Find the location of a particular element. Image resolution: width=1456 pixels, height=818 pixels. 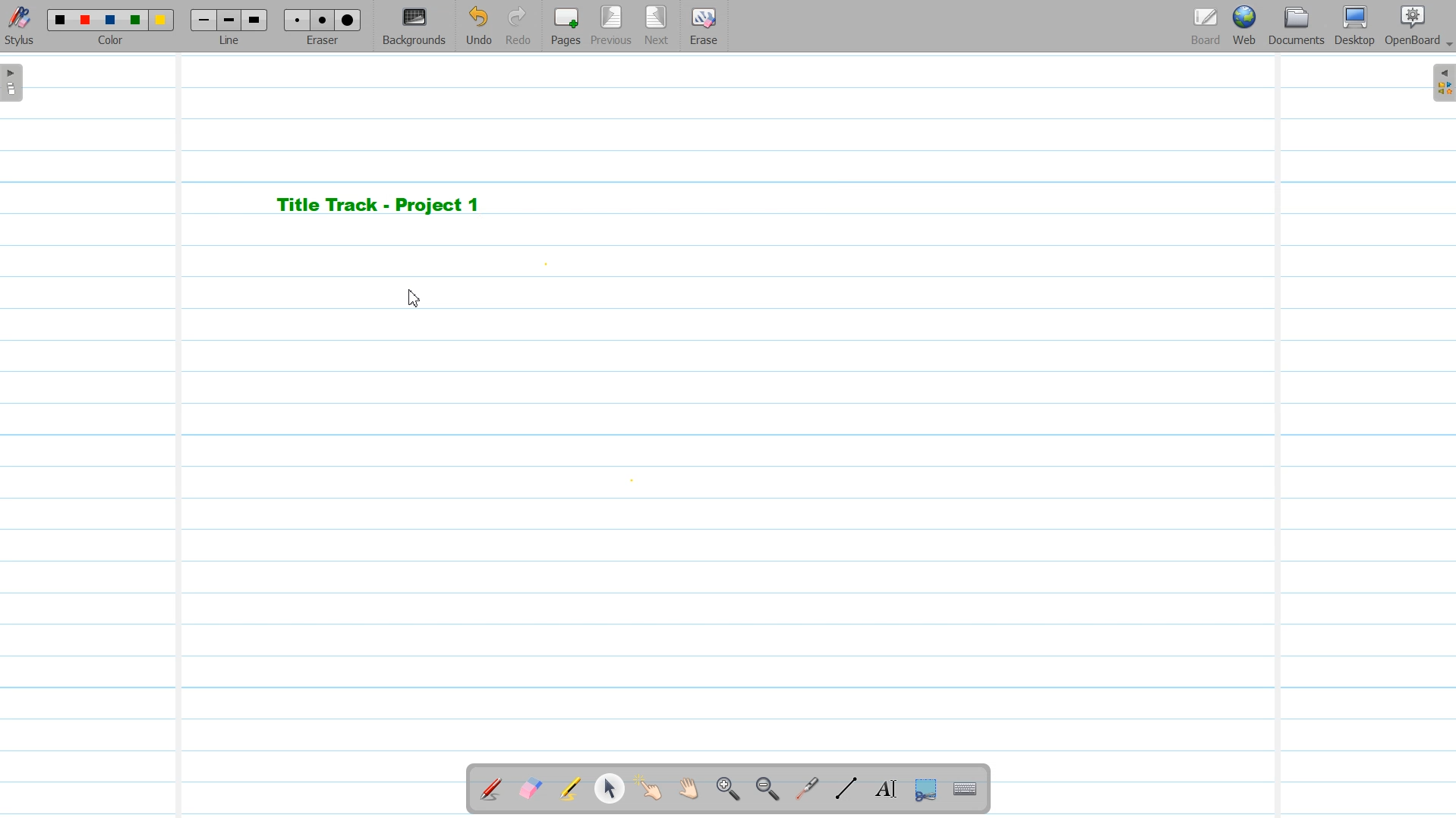

Draw Lines is located at coordinates (846, 789).